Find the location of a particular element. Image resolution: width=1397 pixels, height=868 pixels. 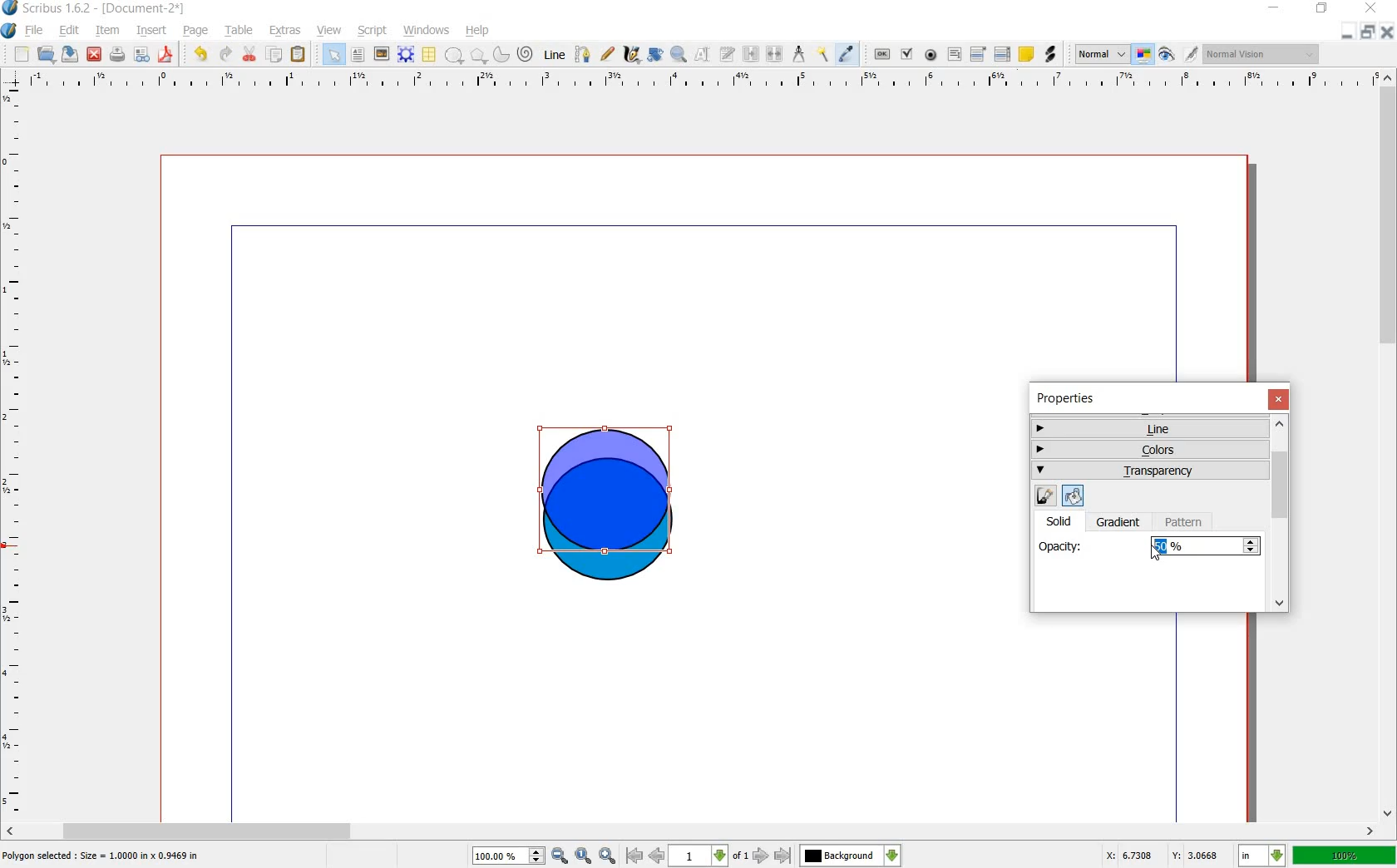

edit is located at coordinates (72, 32).